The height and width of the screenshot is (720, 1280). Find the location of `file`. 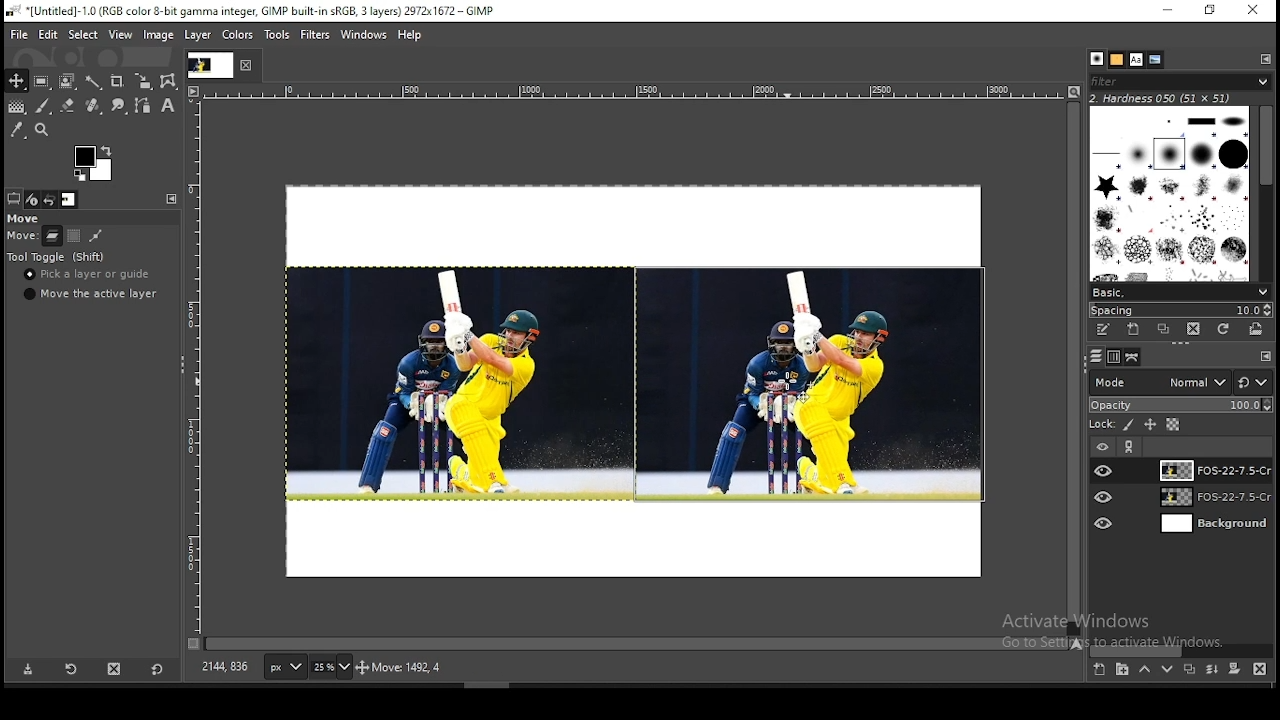

file is located at coordinates (19, 33).